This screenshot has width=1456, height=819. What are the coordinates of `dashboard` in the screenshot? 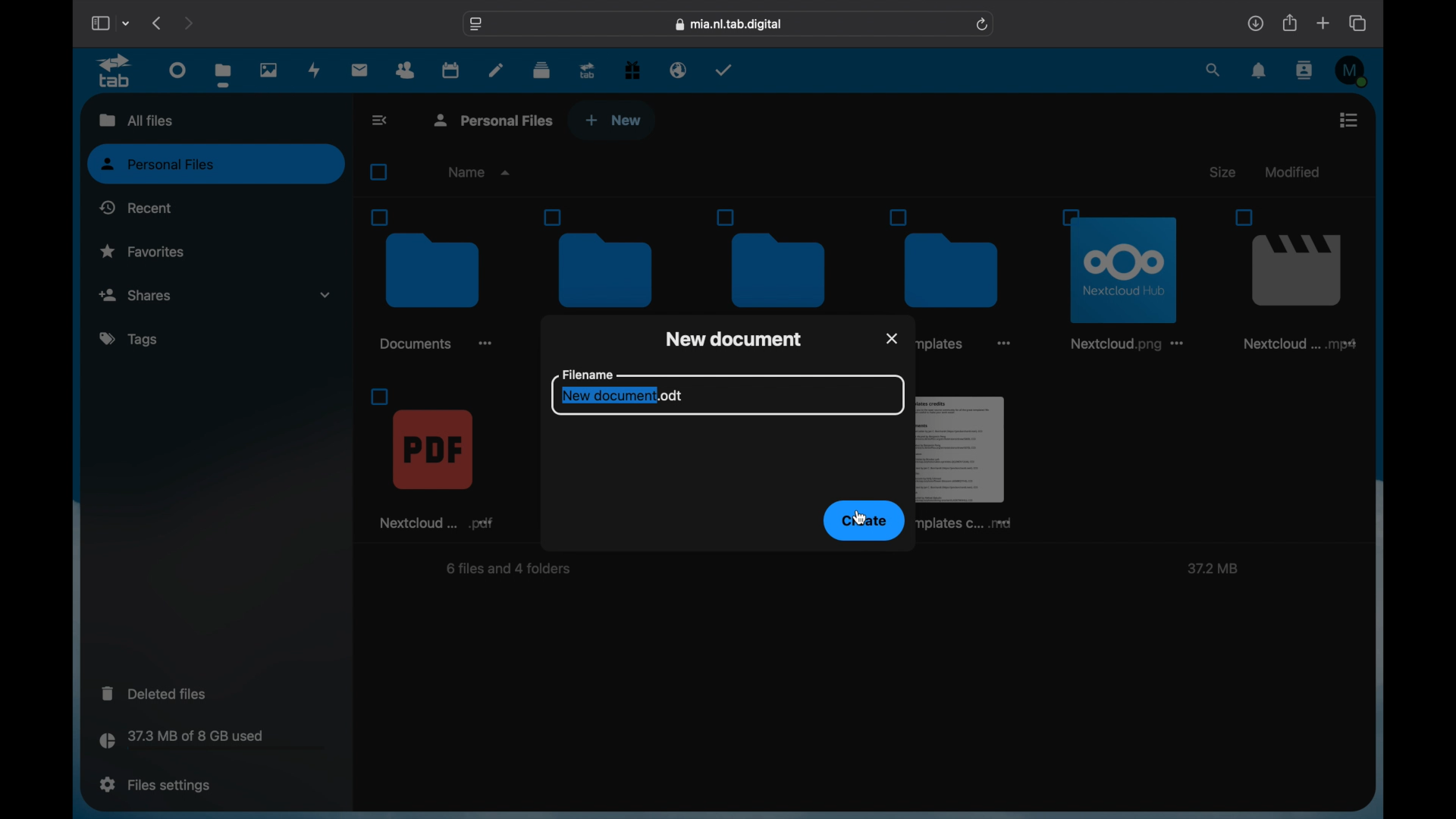 It's located at (179, 69).